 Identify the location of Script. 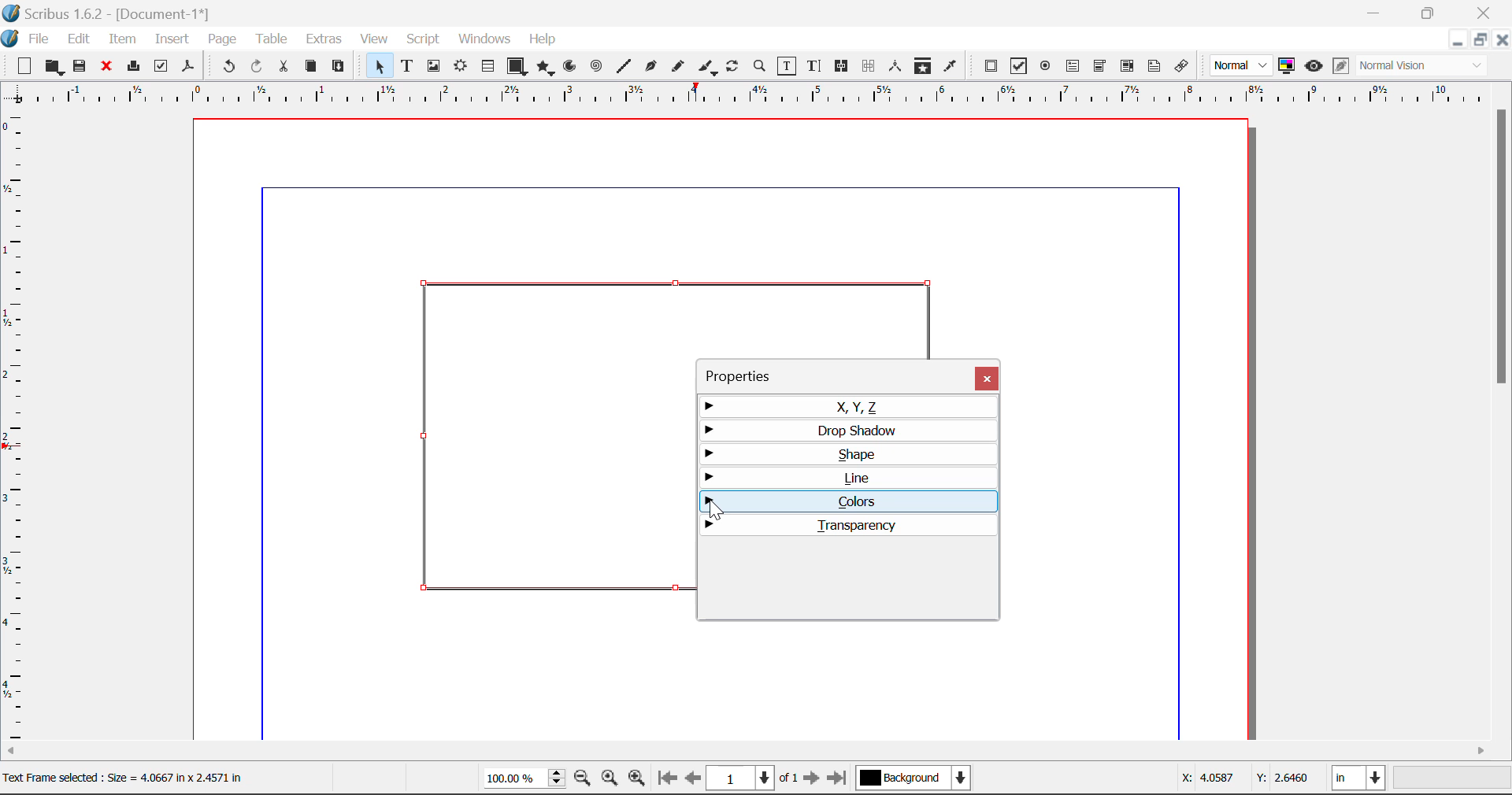
(424, 41).